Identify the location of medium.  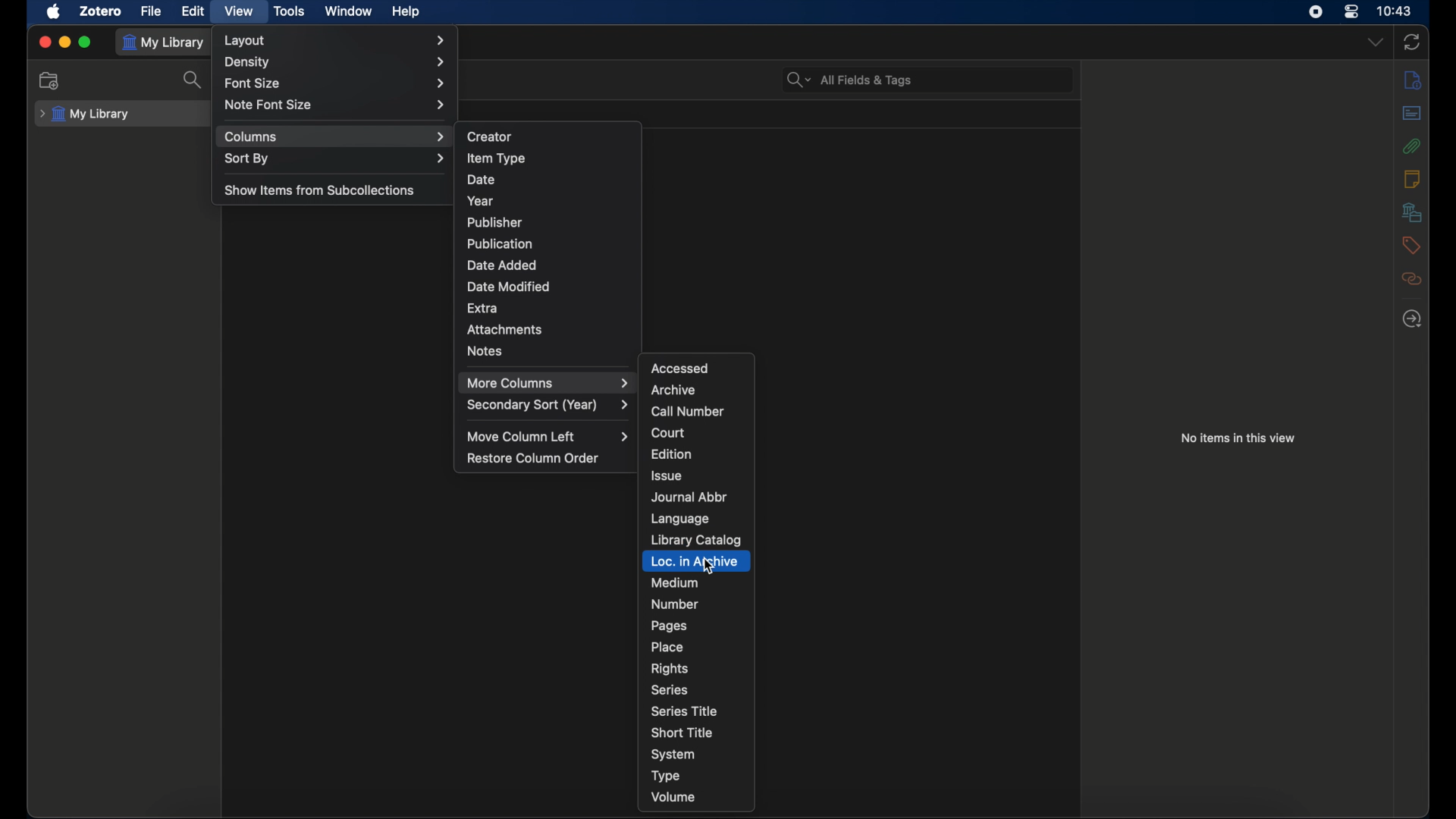
(675, 582).